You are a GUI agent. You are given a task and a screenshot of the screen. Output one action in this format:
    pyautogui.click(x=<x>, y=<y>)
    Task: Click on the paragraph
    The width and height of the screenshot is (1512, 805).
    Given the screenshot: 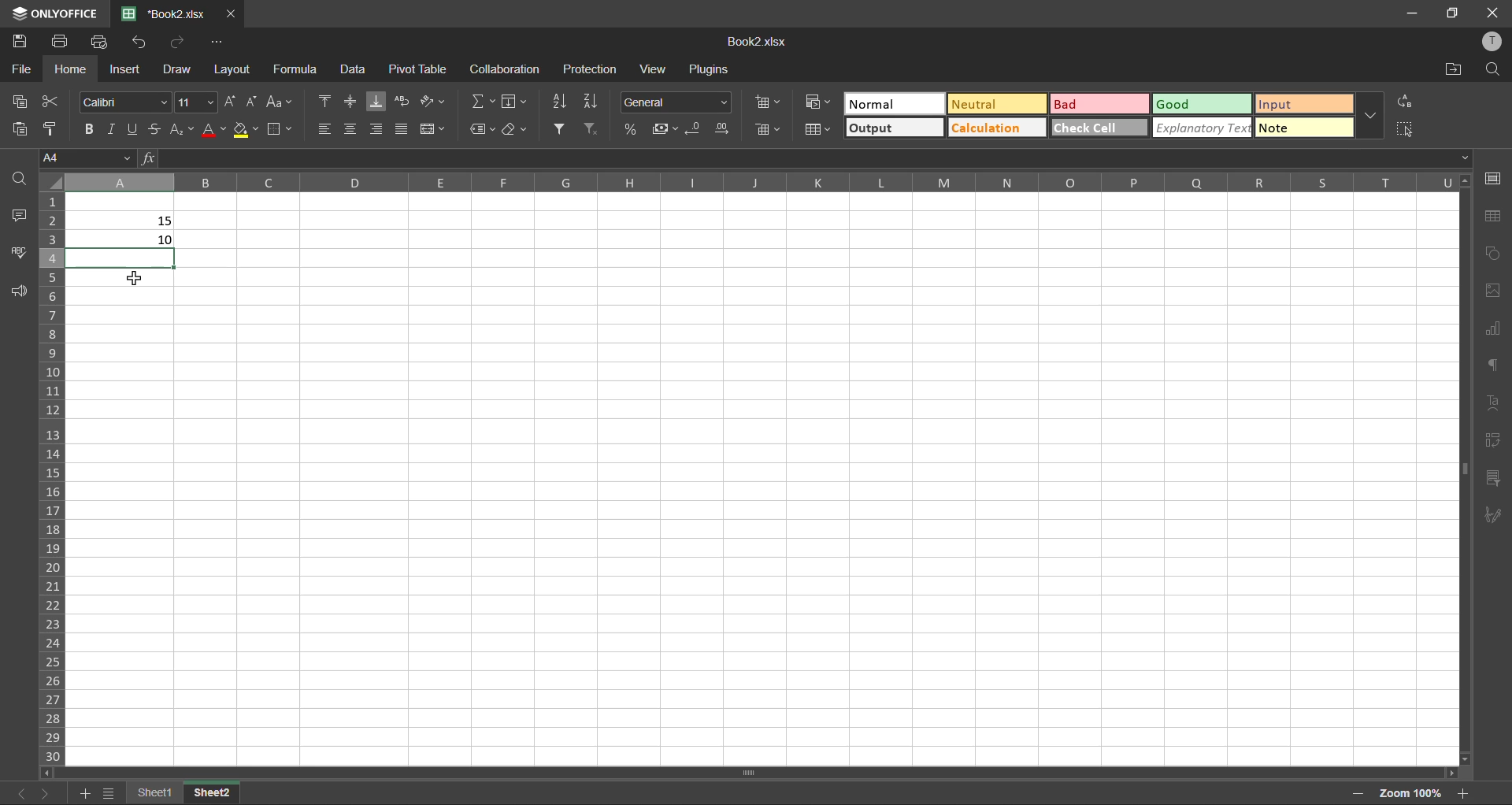 What is the action you would take?
    pyautogui.click(x=1492, y=365)
    